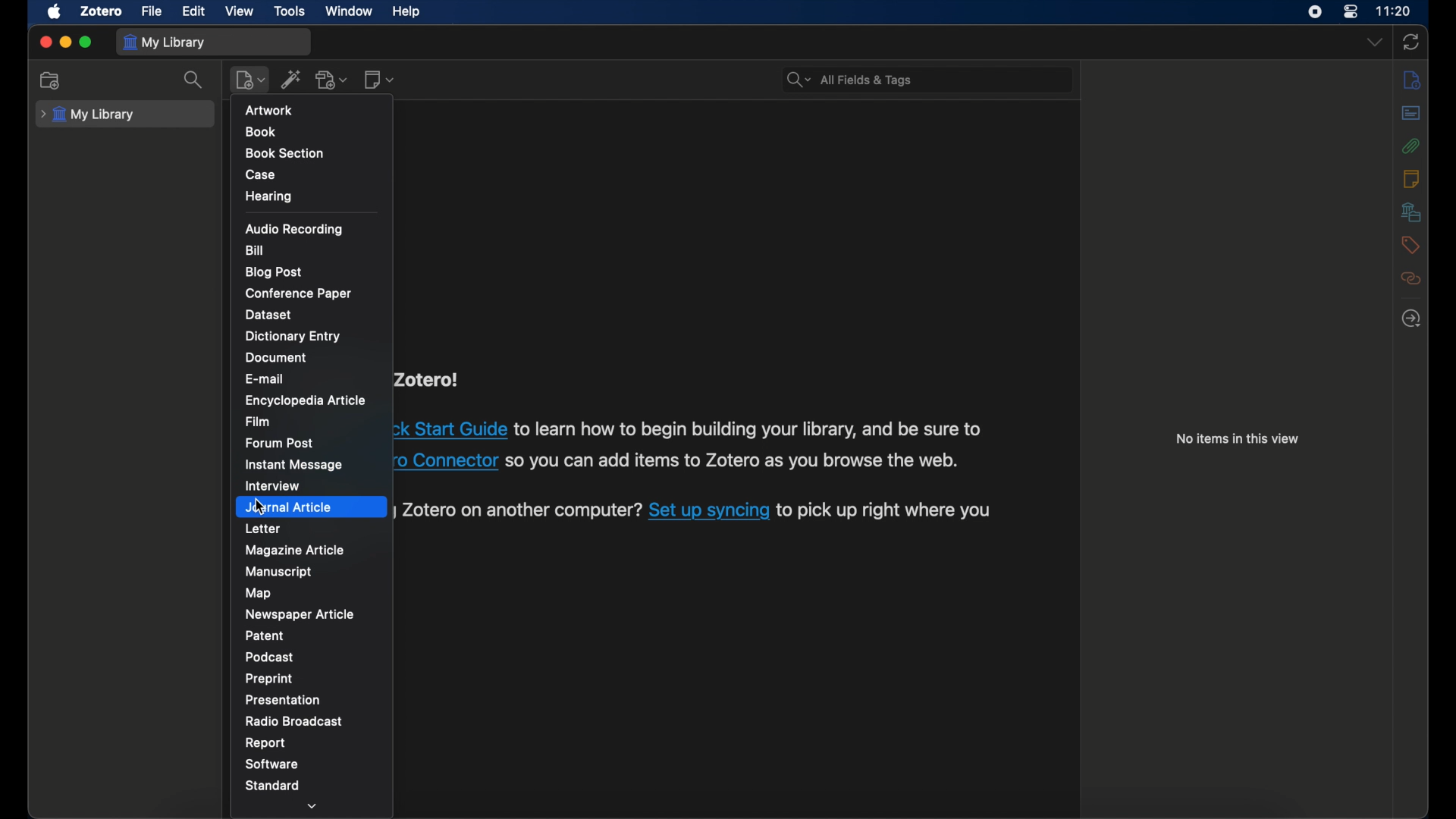 The height and width of the screenshot is (819, 1456). What do you see at coordinates (295, 550) in the screenshot?
I see `magazine article` at bounding box center [295, 550].